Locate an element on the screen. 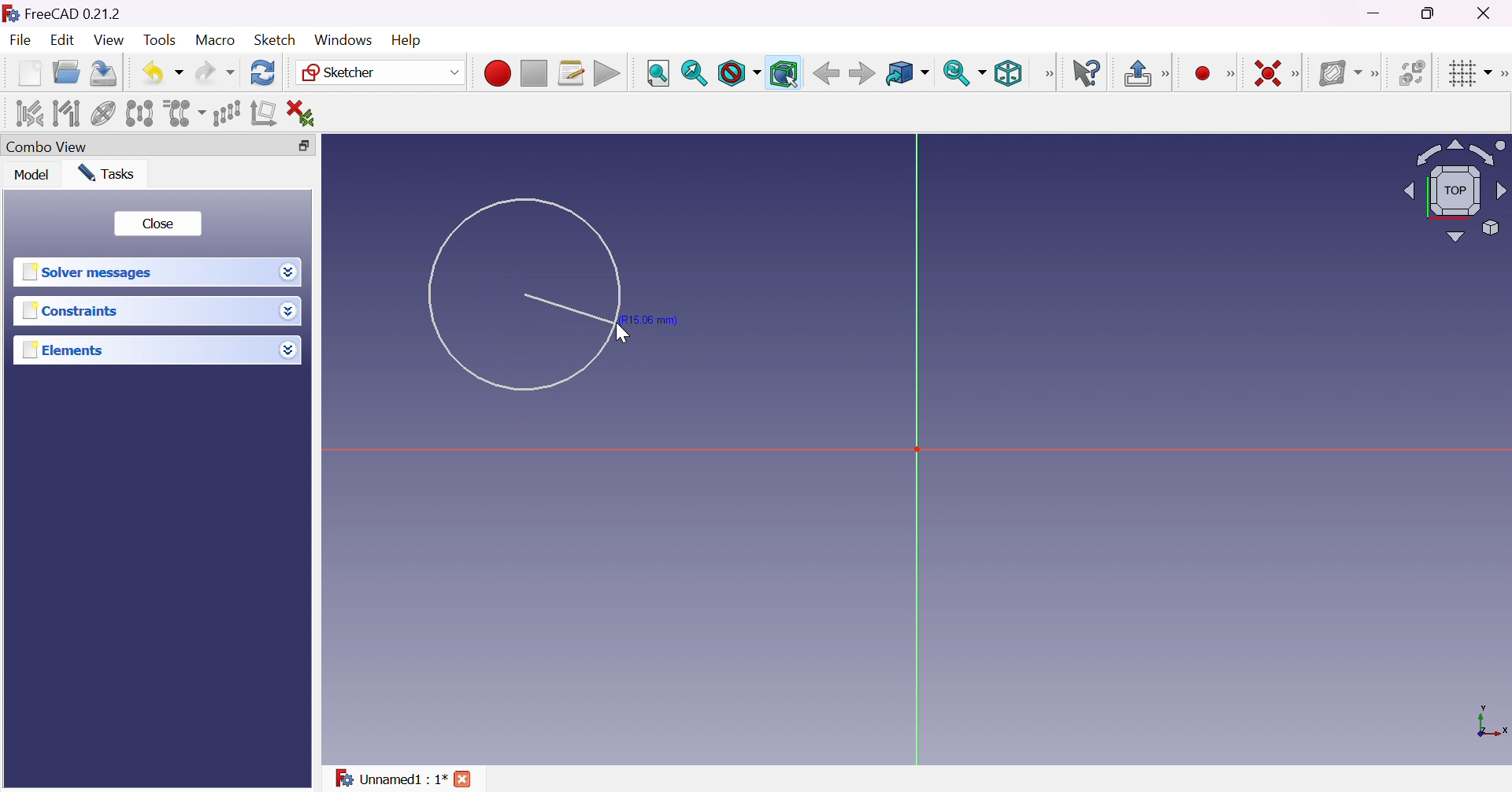  Constraints is located at coordinates (71, 312).